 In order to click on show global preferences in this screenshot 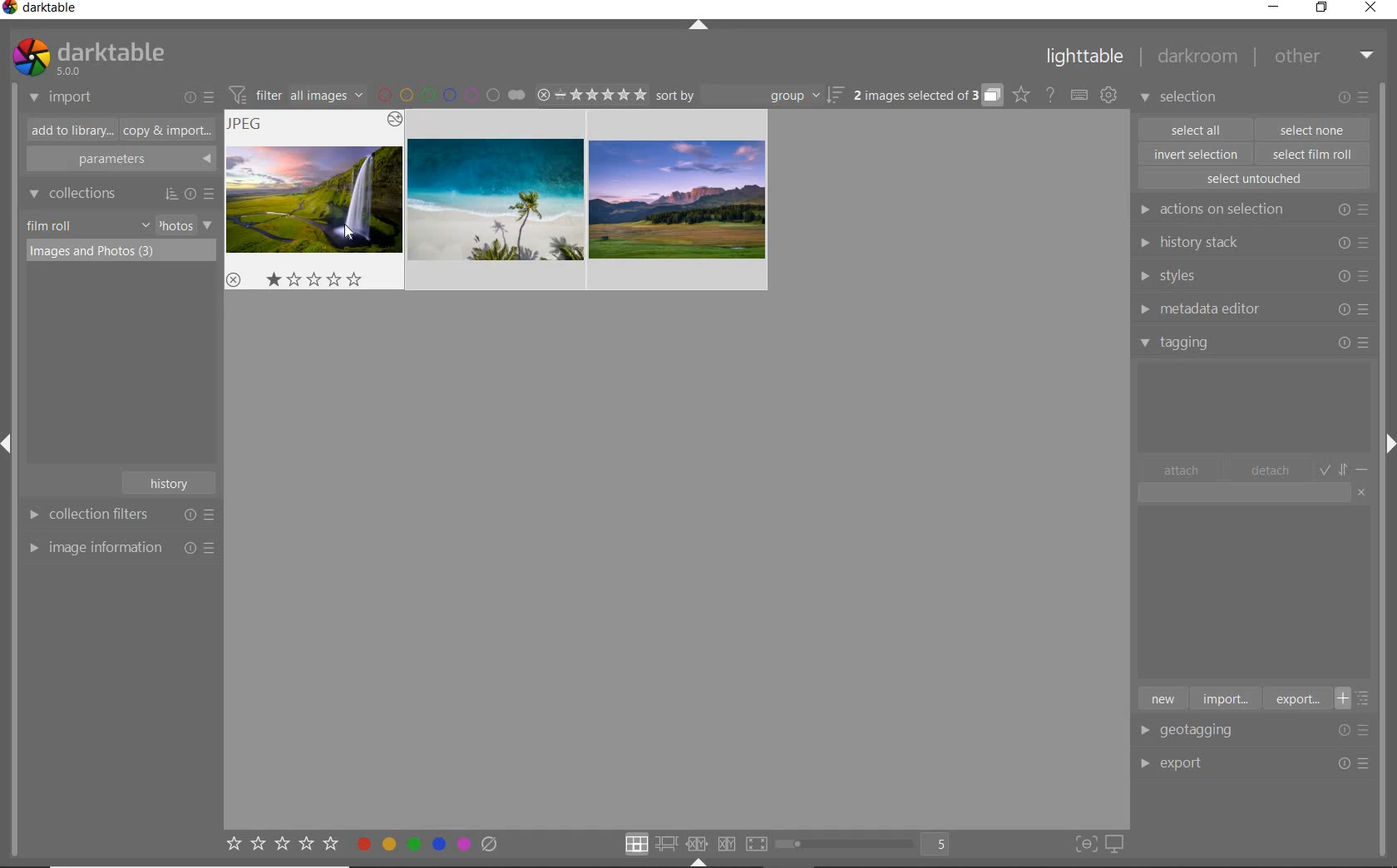, I will do `click(1108, 96)`.